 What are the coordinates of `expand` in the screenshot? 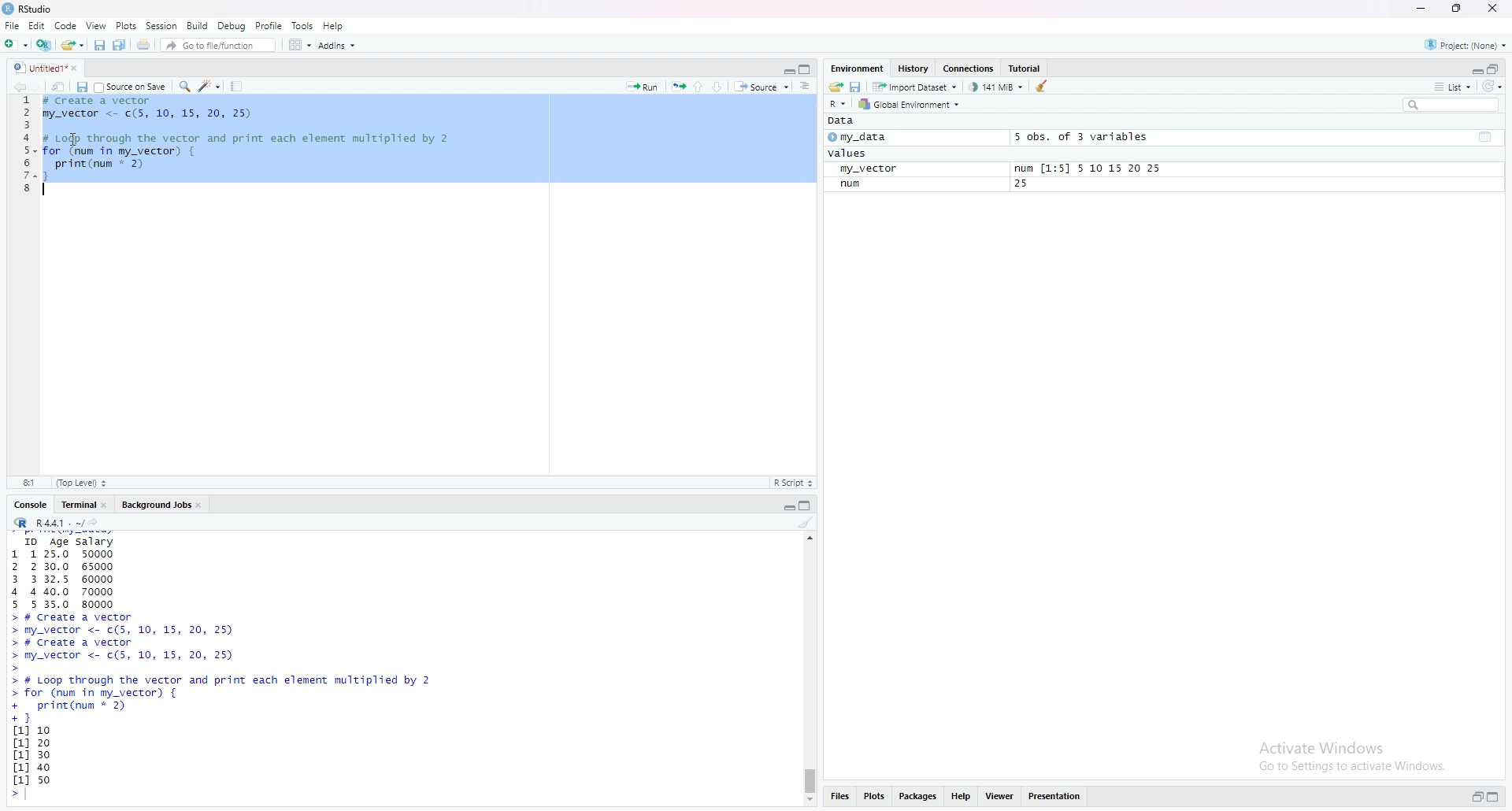 It's located at (788, 507).